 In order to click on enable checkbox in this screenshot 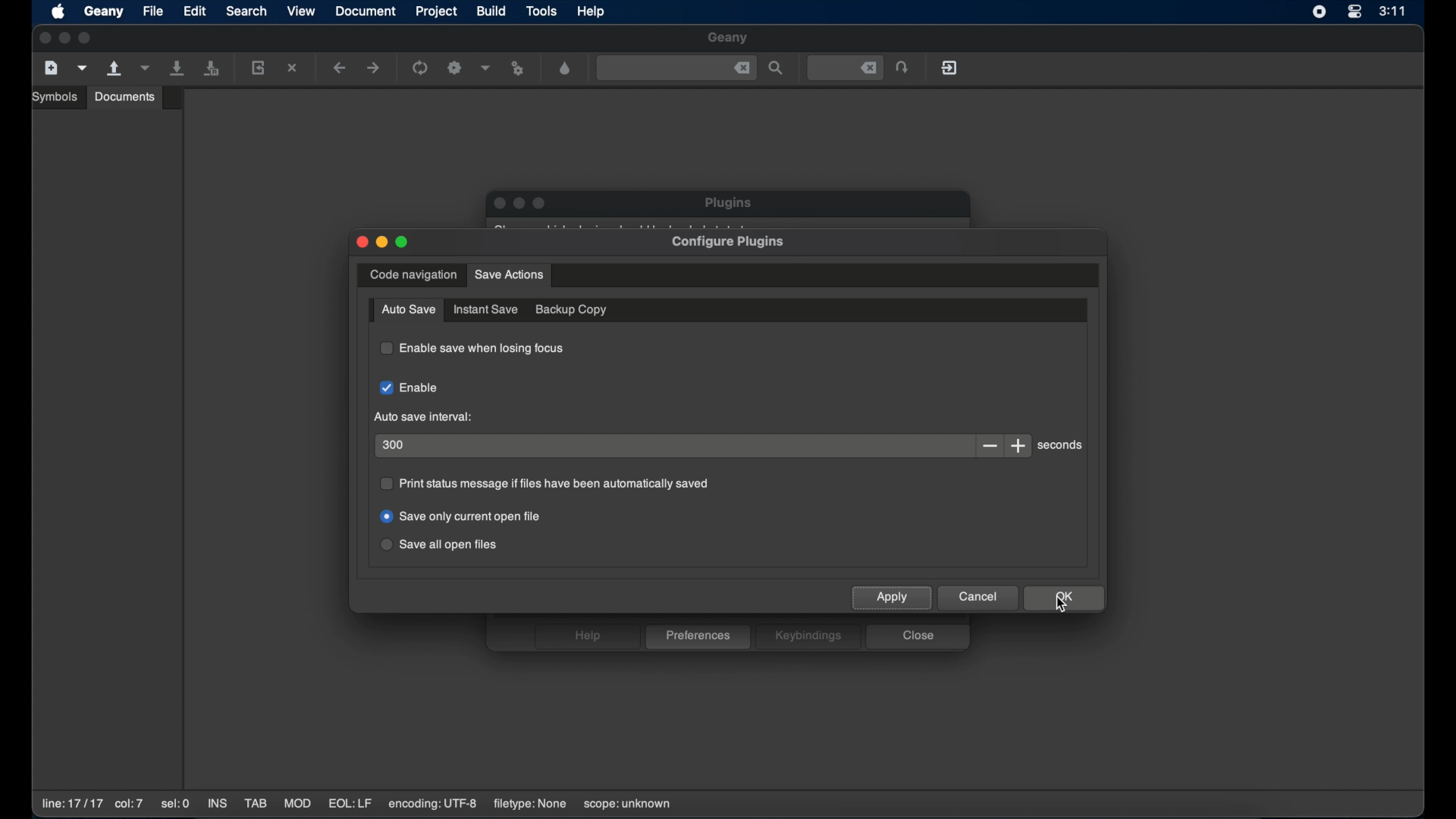, I will do `click(411, 389)`.